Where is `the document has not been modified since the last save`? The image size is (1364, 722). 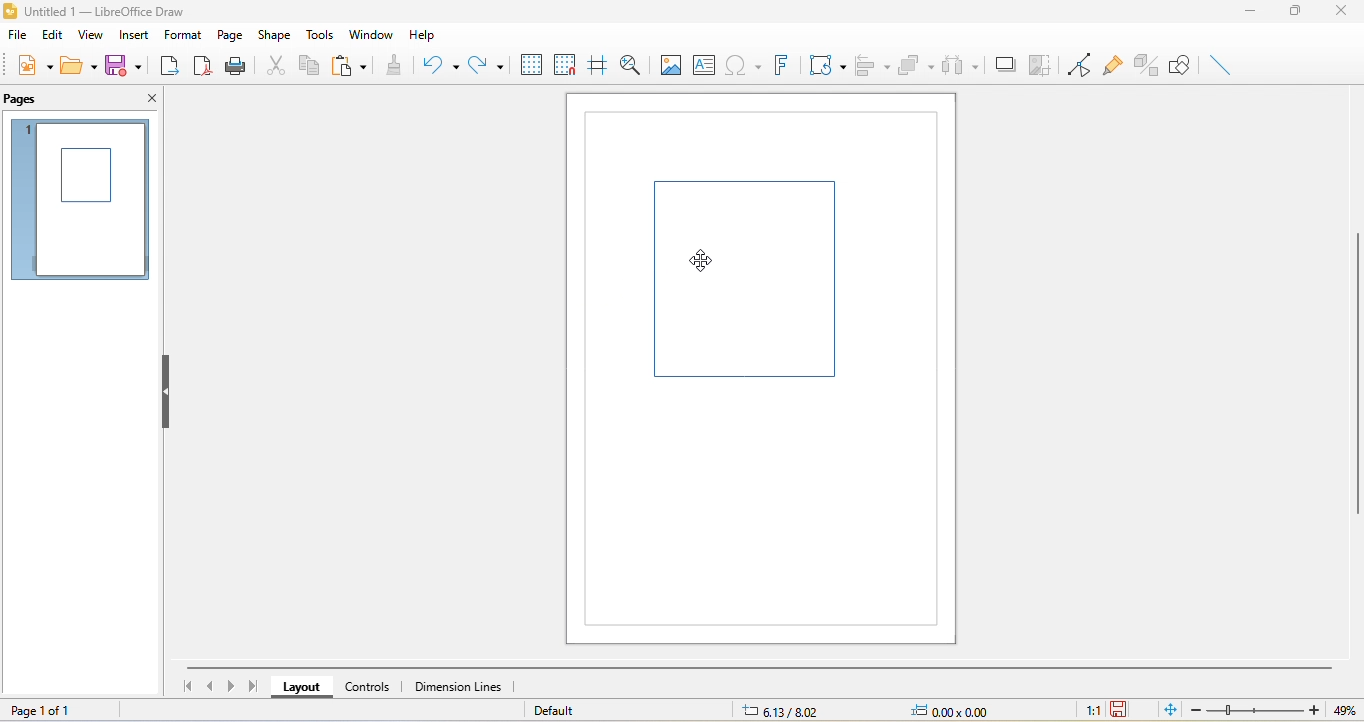
the document has not been modified since the last save is located at coordinates (1126, 710).